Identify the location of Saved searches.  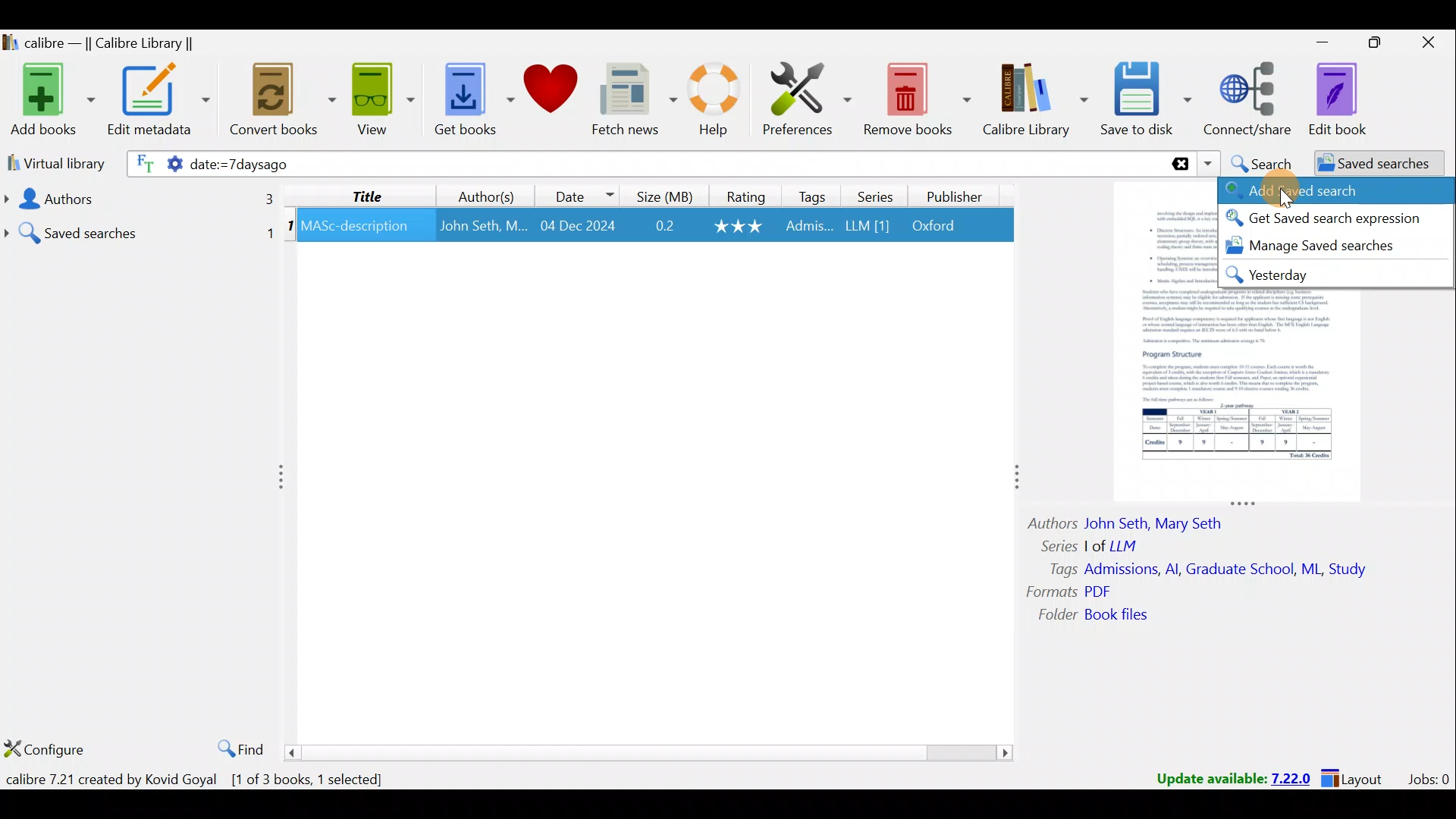
(140, 227).